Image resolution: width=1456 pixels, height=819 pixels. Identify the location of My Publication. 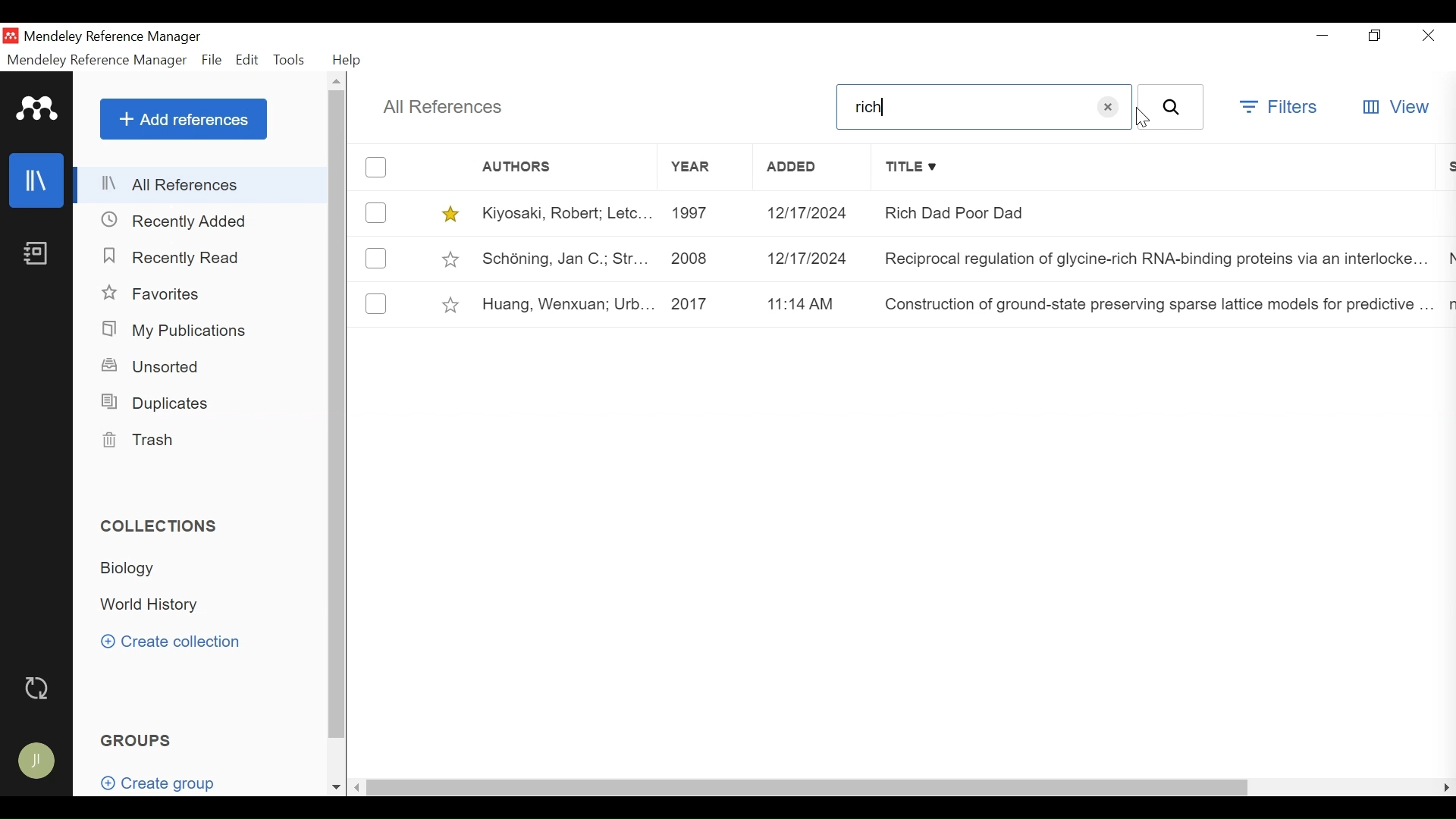
(178, 330).